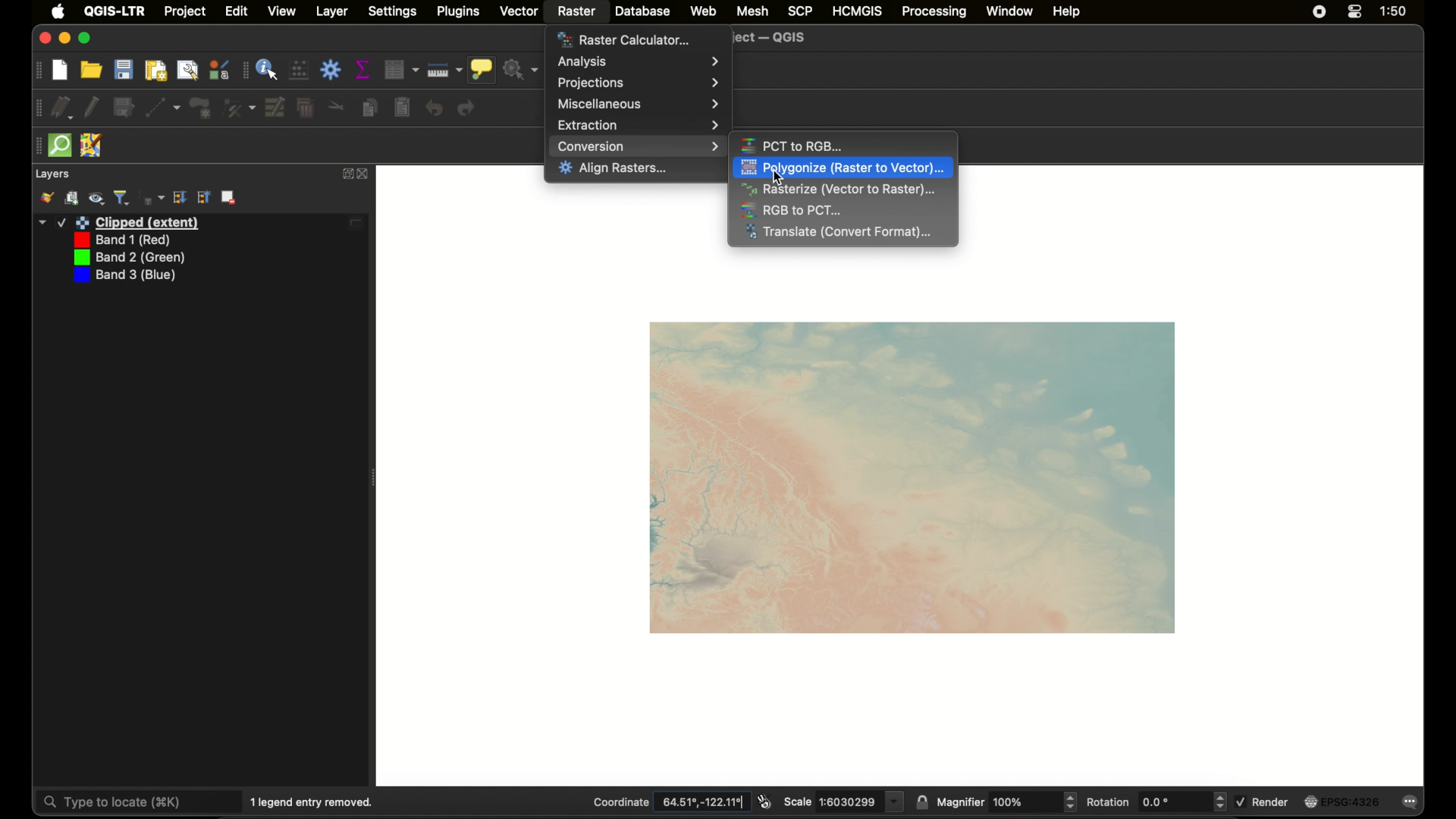  Describe the element at coordinates (92, 108) in the screenshot. I see `toggle editing` at that location.